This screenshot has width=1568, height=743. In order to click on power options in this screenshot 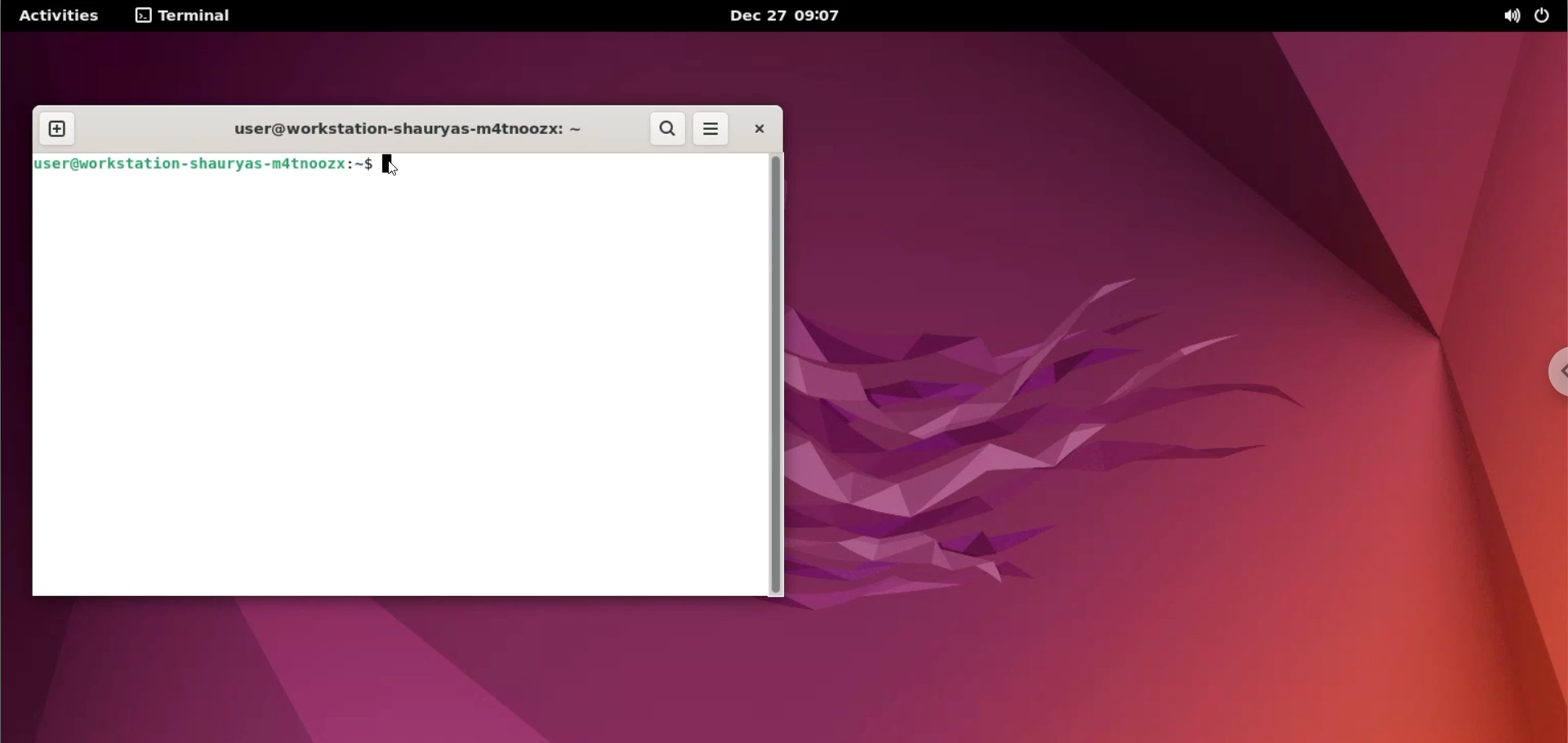, I will do `click(1546, 15)`.